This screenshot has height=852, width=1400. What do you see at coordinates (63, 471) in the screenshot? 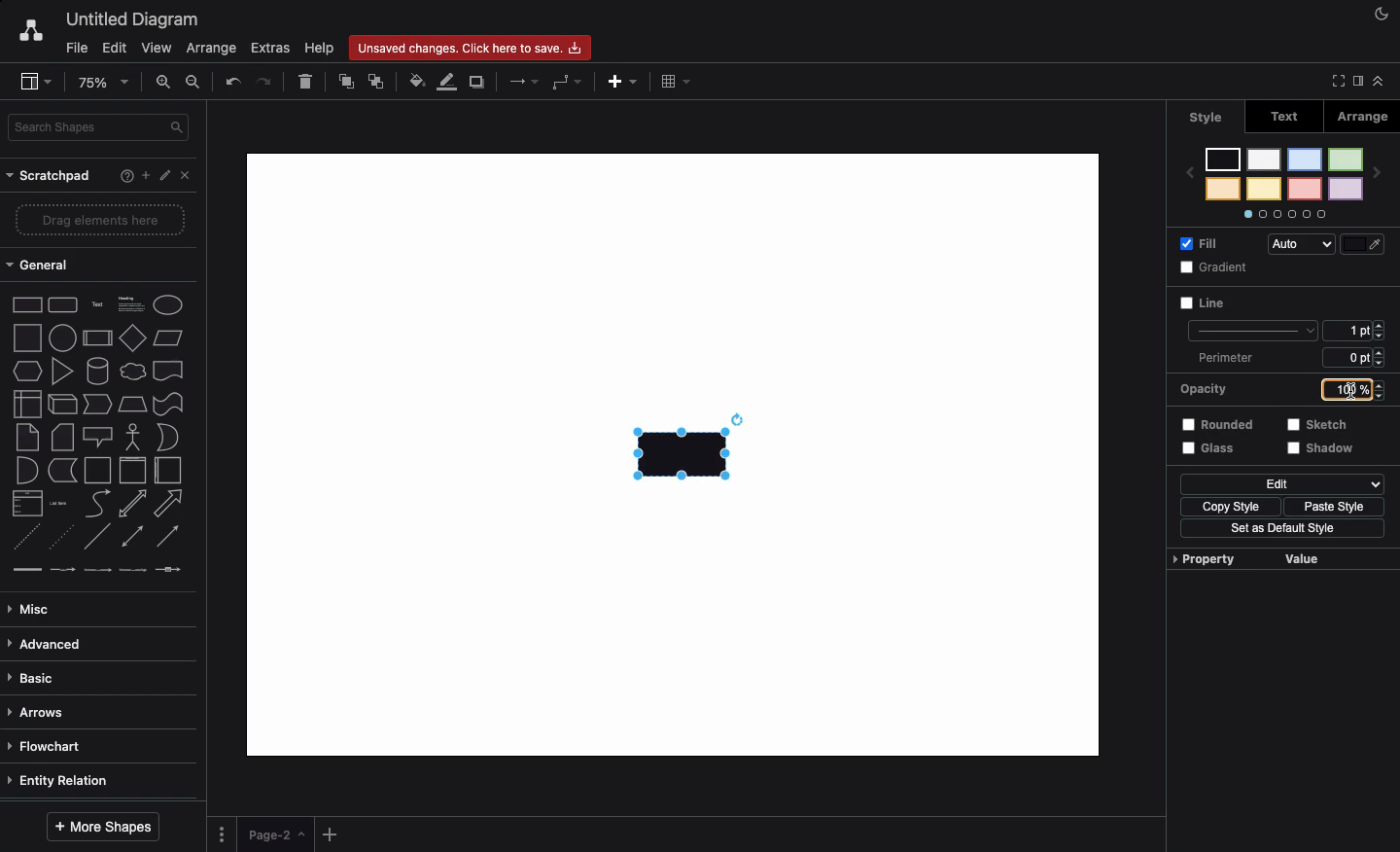
I see `data storage` at bounding box center [63, 471].